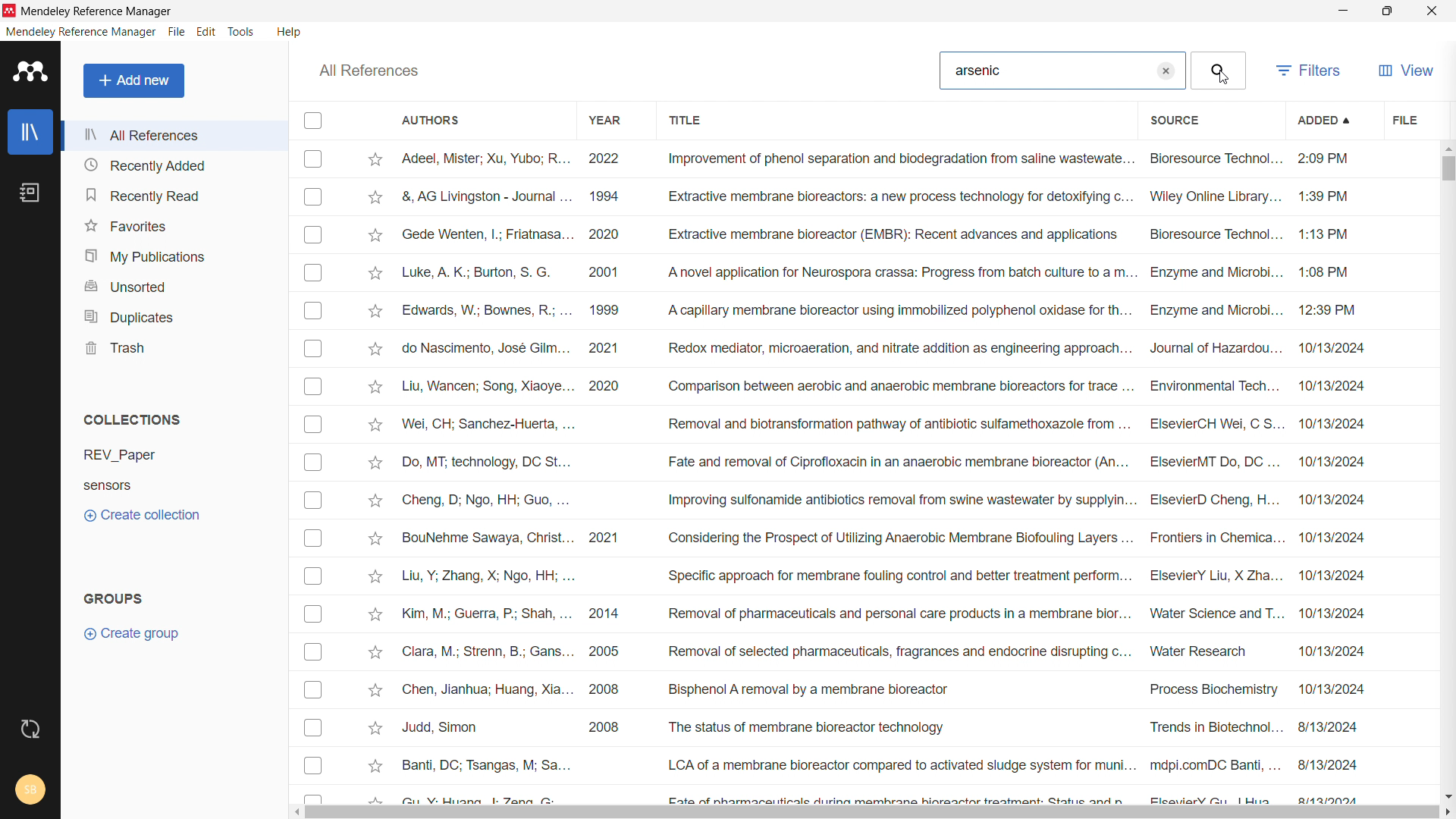 This screenshot has height=819, width=1456. What do you see at coordinates (312, 765) in the screenshot?
I see `Checkbox` at bounding box center [312, 765].